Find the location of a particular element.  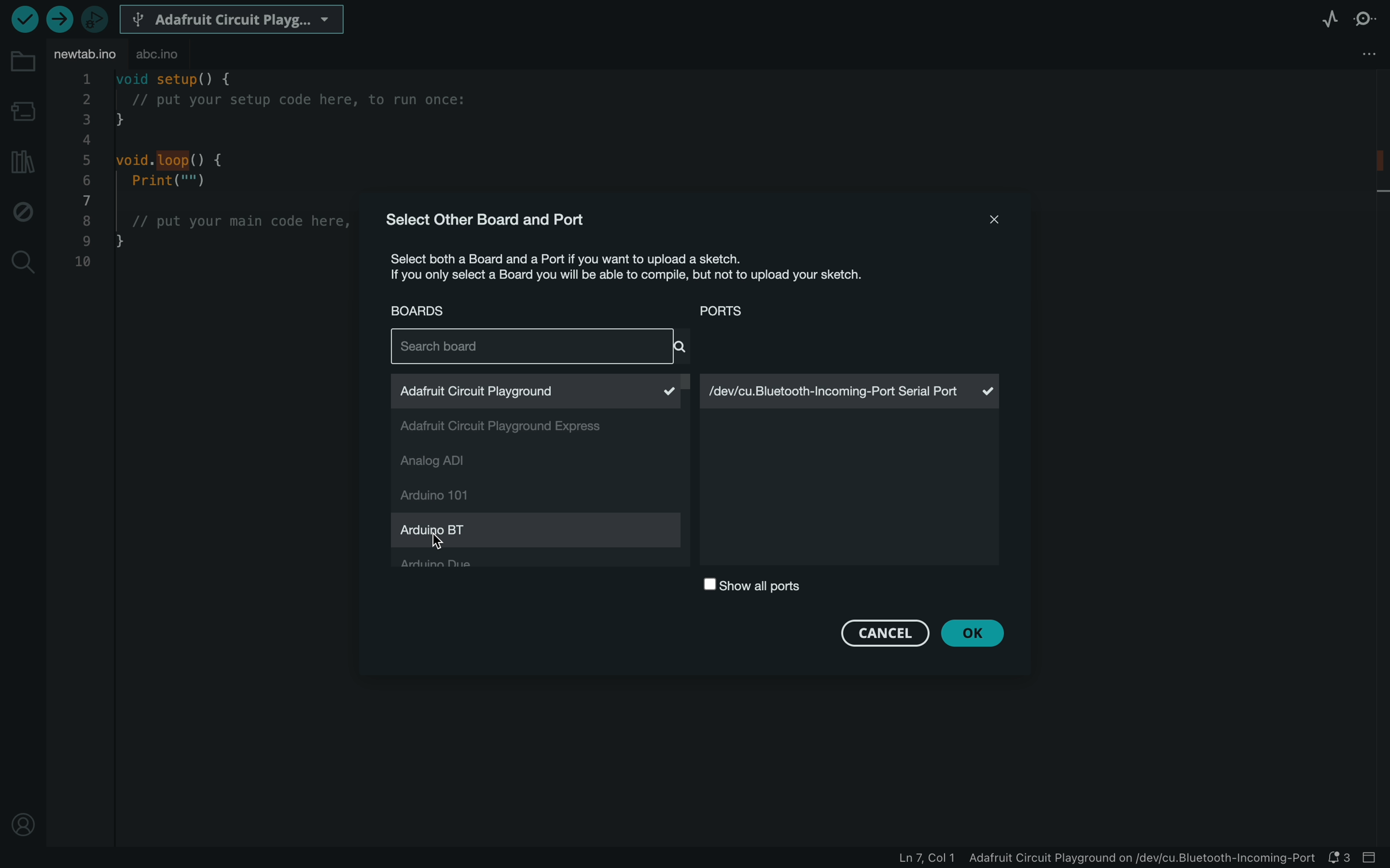

file setting is located at coordinates (1371, 52).